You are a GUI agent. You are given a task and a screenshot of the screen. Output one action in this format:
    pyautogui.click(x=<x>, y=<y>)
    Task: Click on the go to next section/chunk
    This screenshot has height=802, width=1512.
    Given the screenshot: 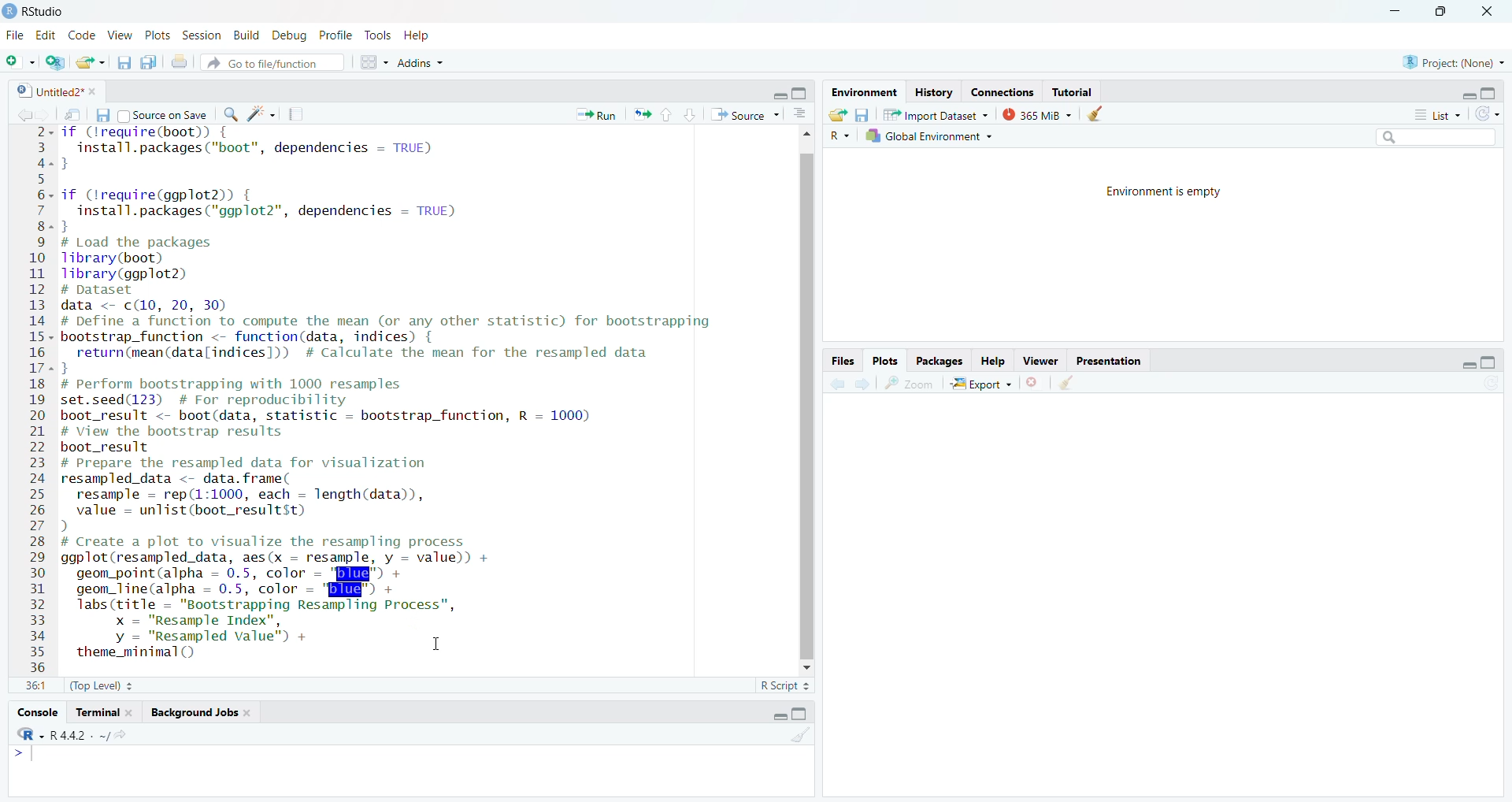 What is the action you would take?
    pyautogui.click(x=689, y=114)
    